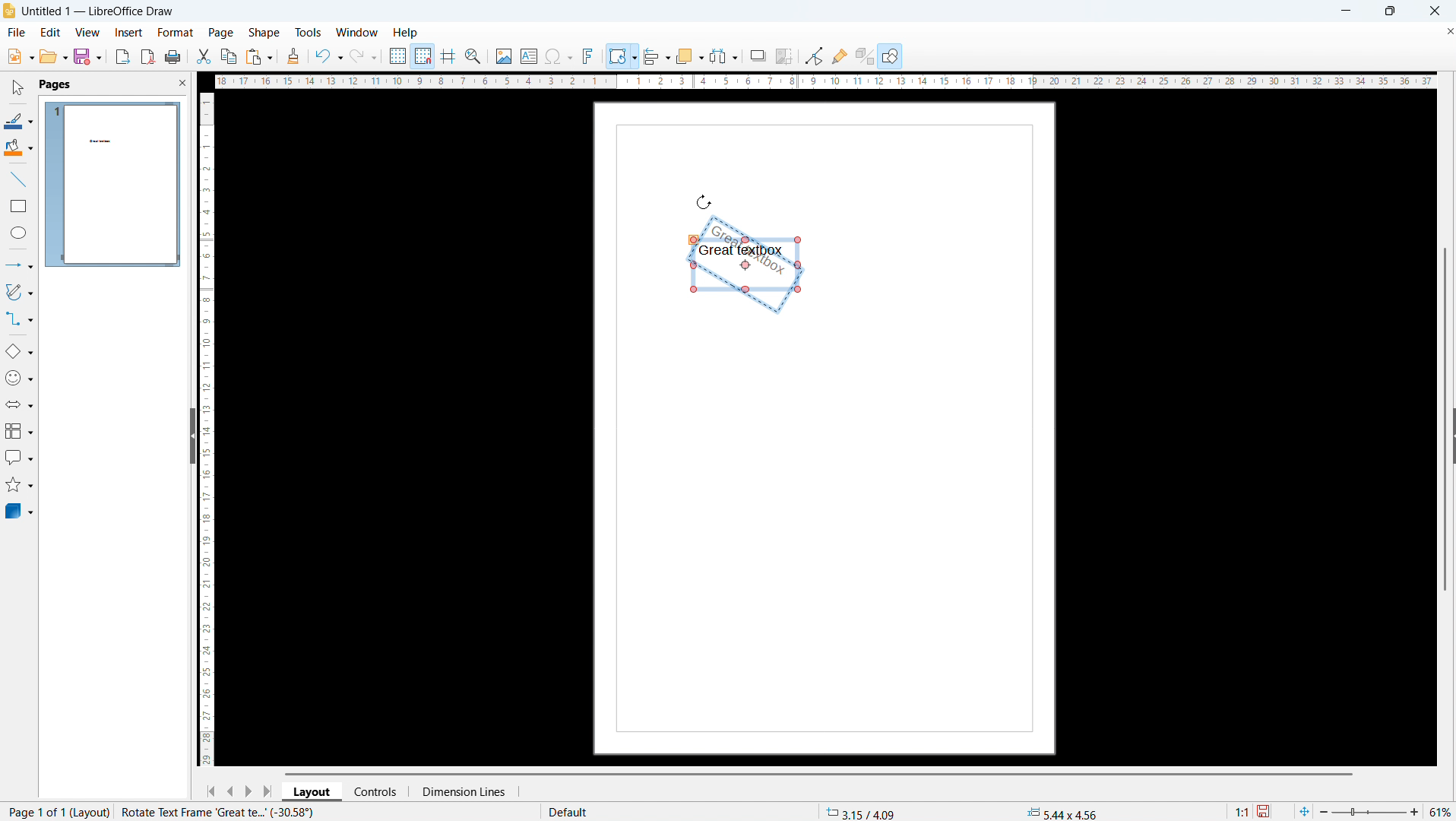  I want to click on Maximise , so click(1388, 11).